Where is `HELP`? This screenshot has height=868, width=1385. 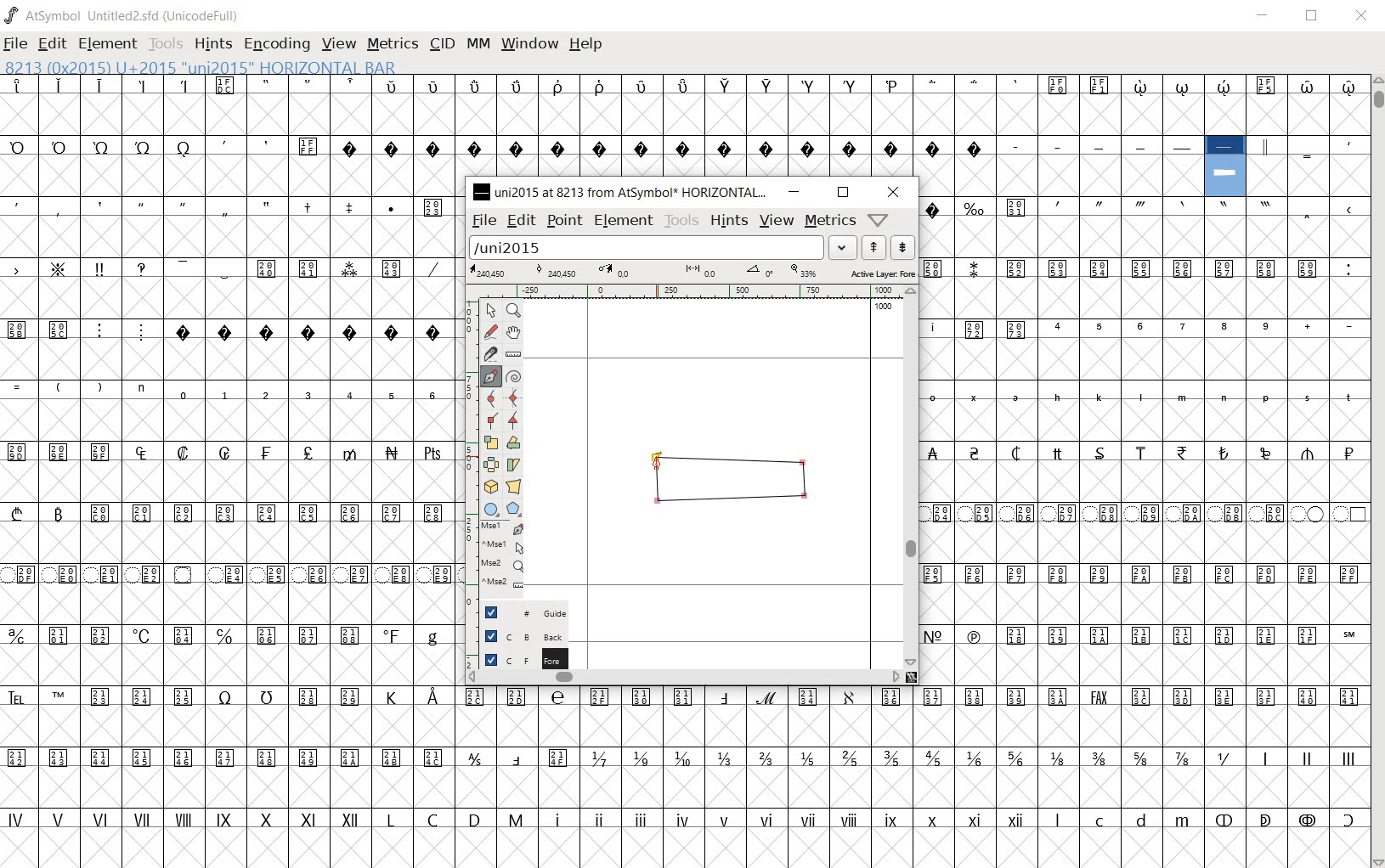
HELP is located at coordinates (588, 43).